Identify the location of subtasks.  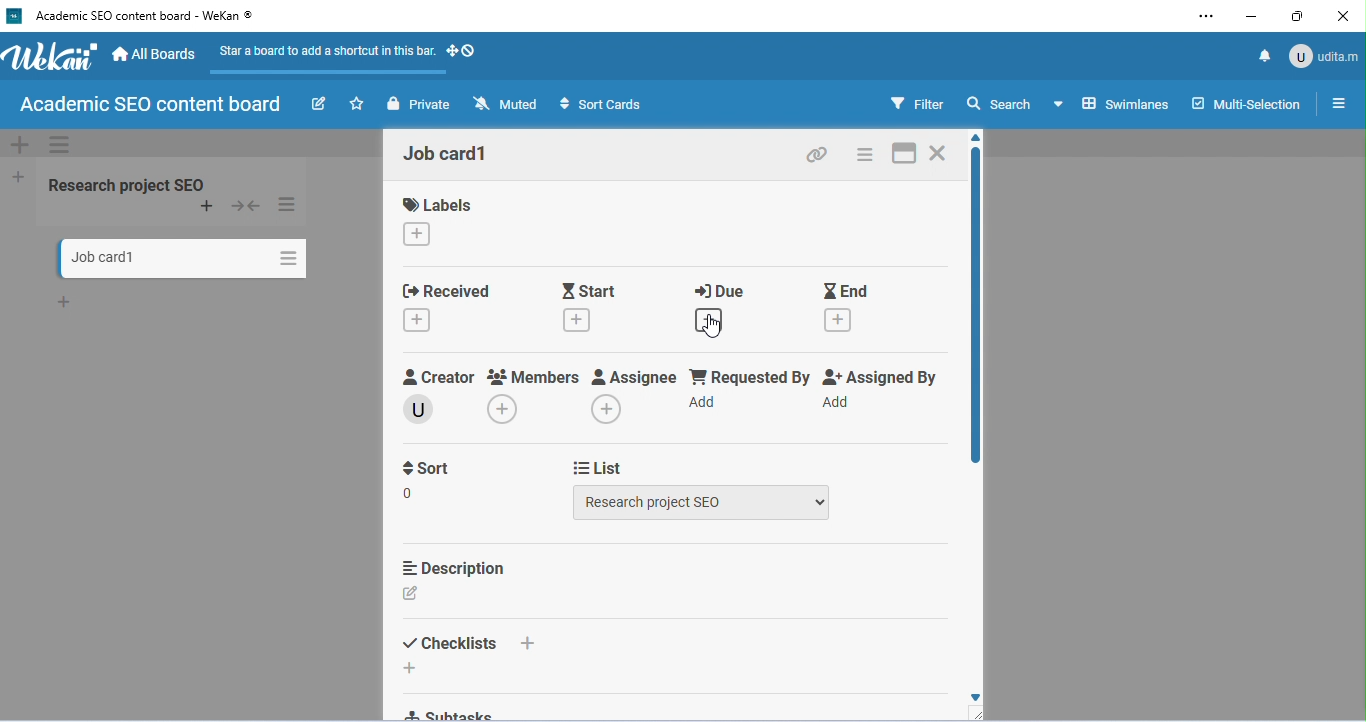
(452, 714).